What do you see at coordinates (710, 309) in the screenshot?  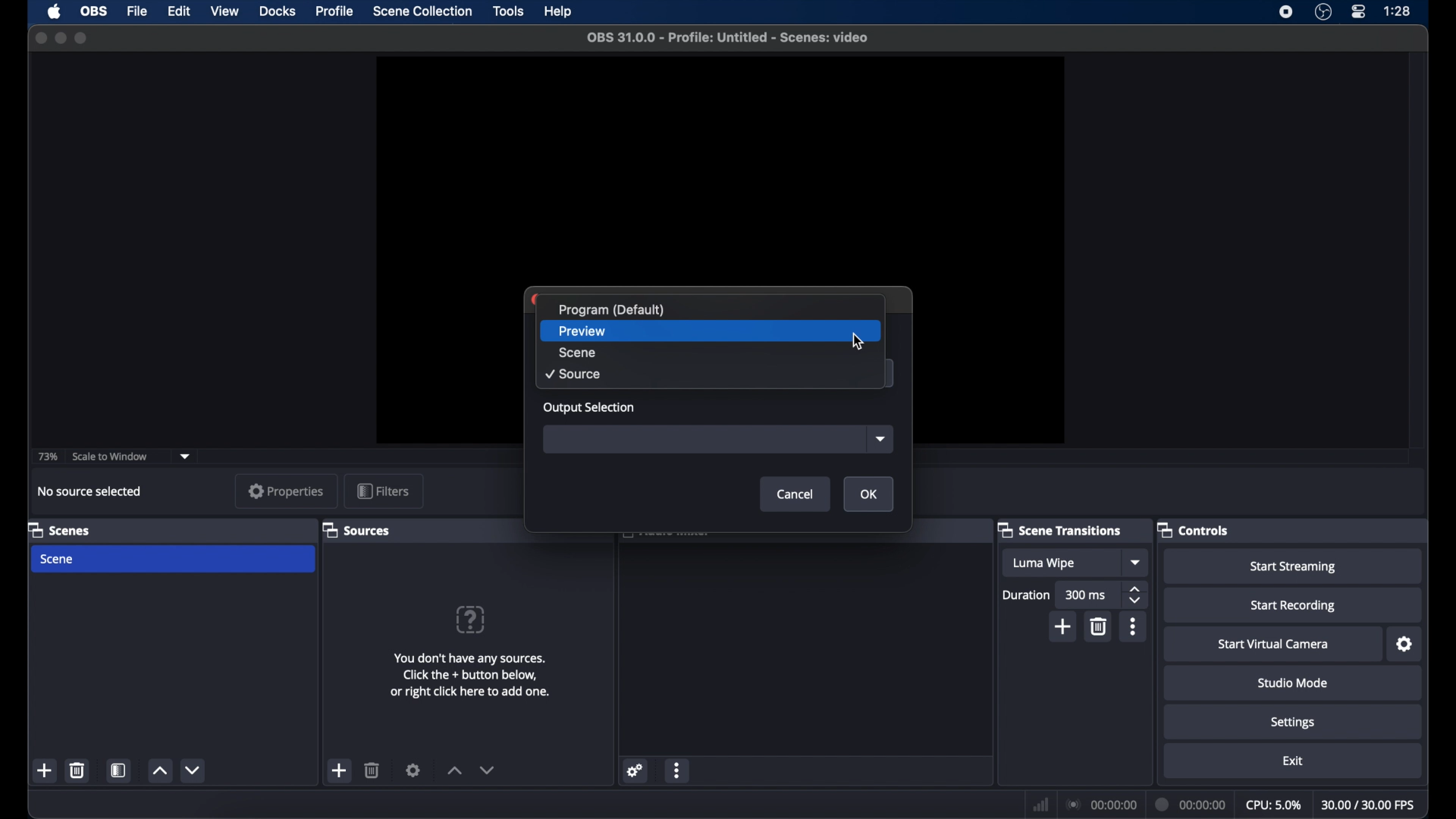 I see `Text` at bounding box center [710, 309].